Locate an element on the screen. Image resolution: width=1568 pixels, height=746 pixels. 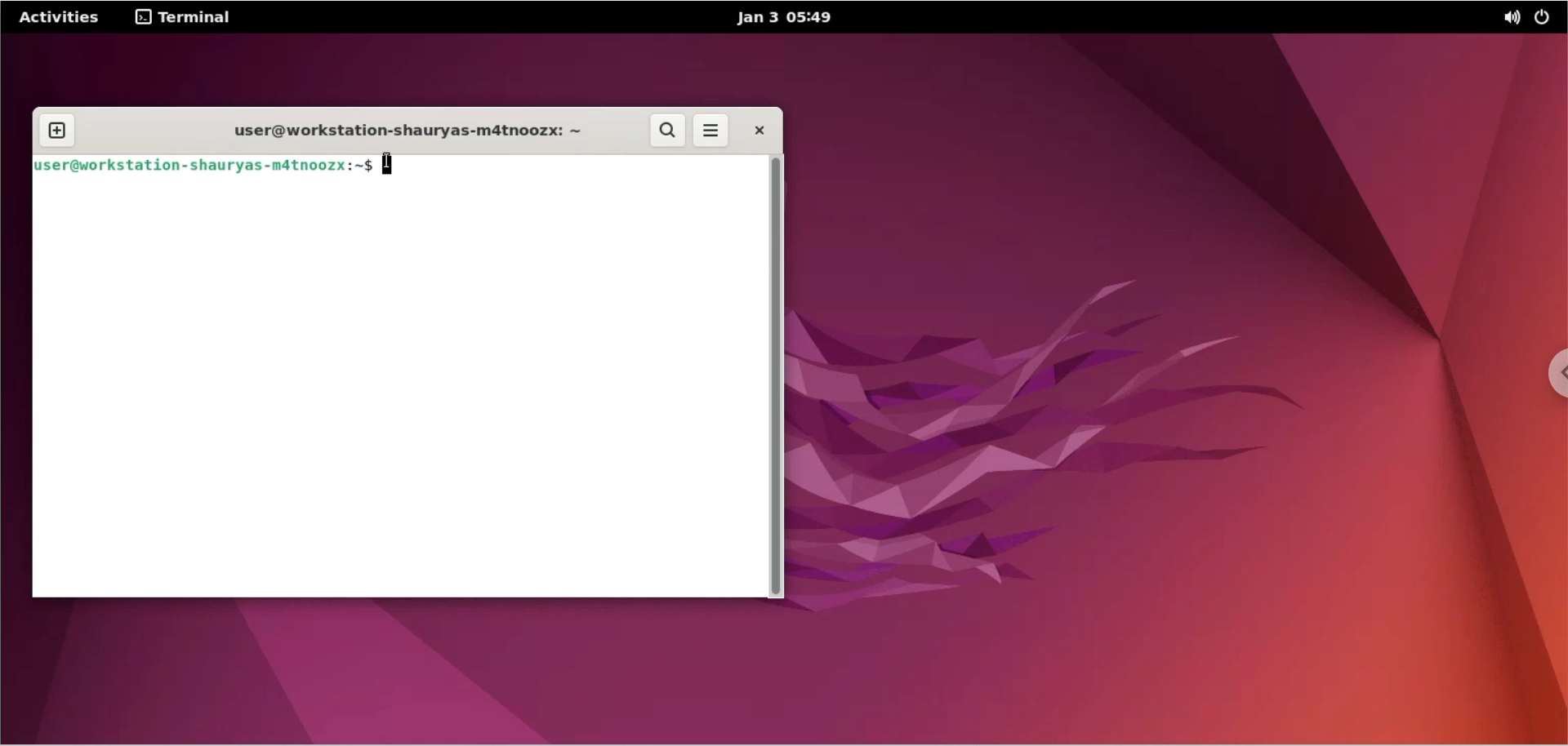
user@workstation-shauryas-m4tnoozx: ~ is located at coordinates (401, 131).